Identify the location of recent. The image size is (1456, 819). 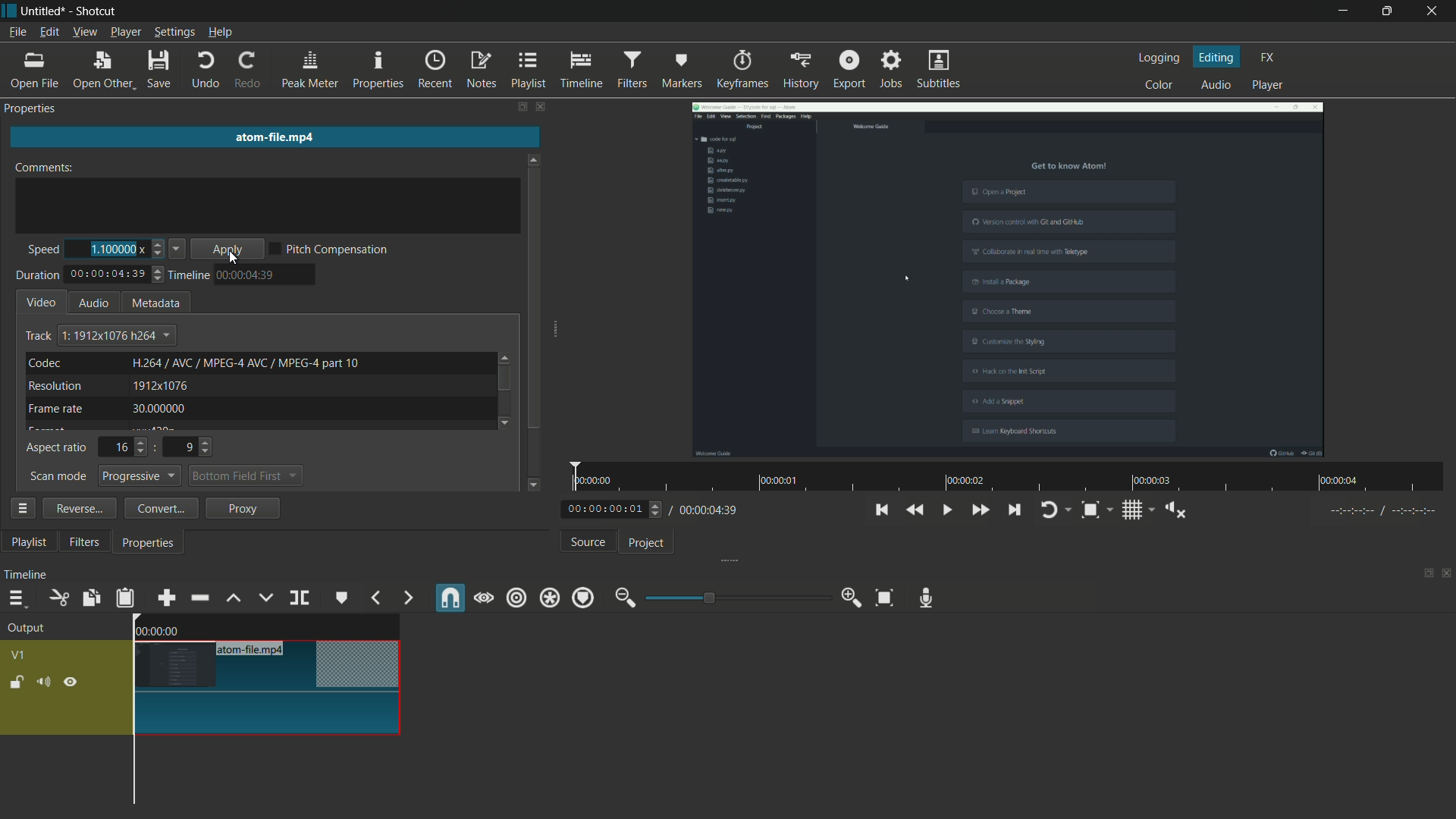
(435, 70).